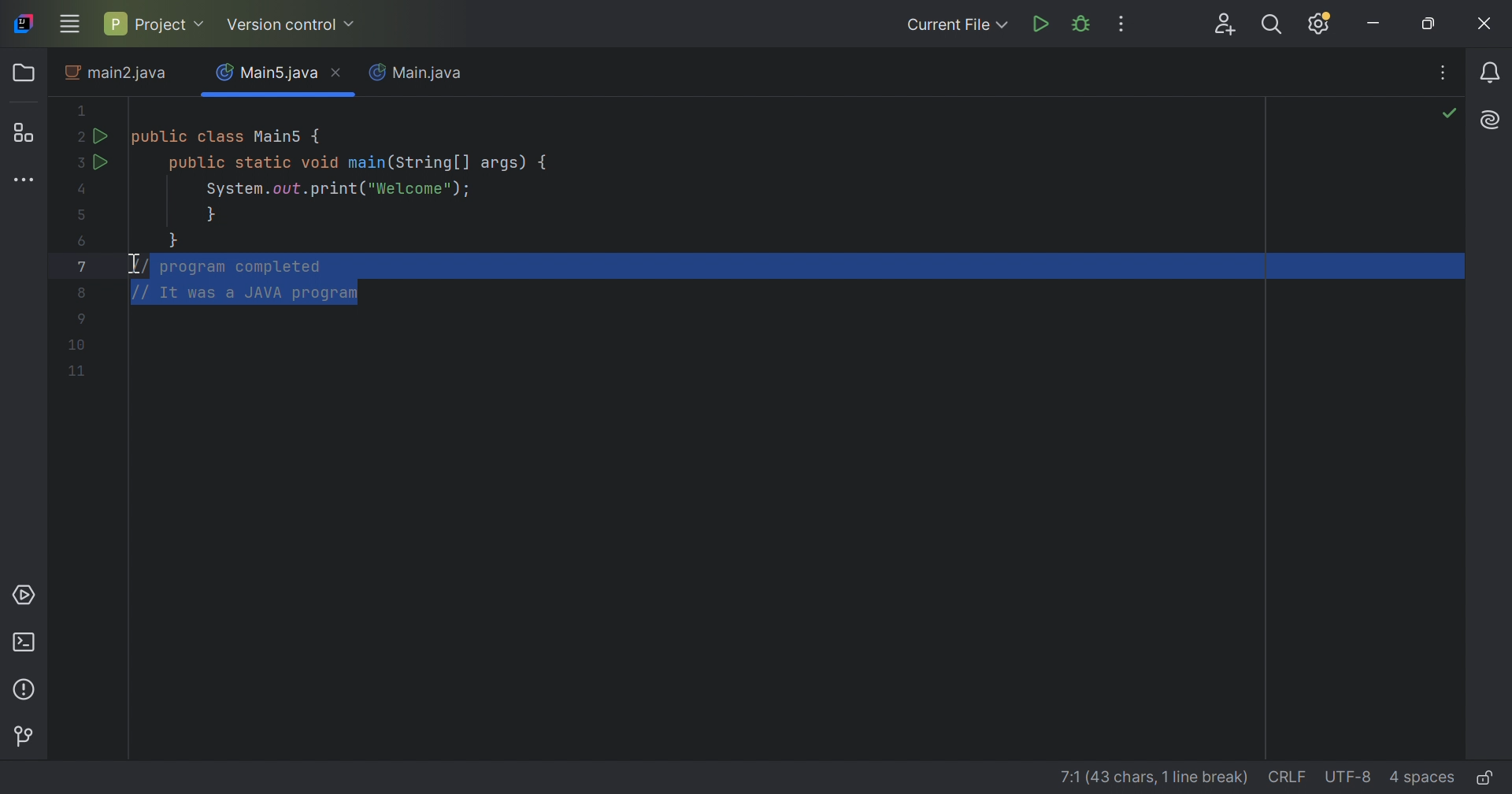 Image resolution: width=1512 pixels, height=794 pixels. Describe the element at coordinates (1451, 116) in the screenshot. I see `No problems found` at that location.